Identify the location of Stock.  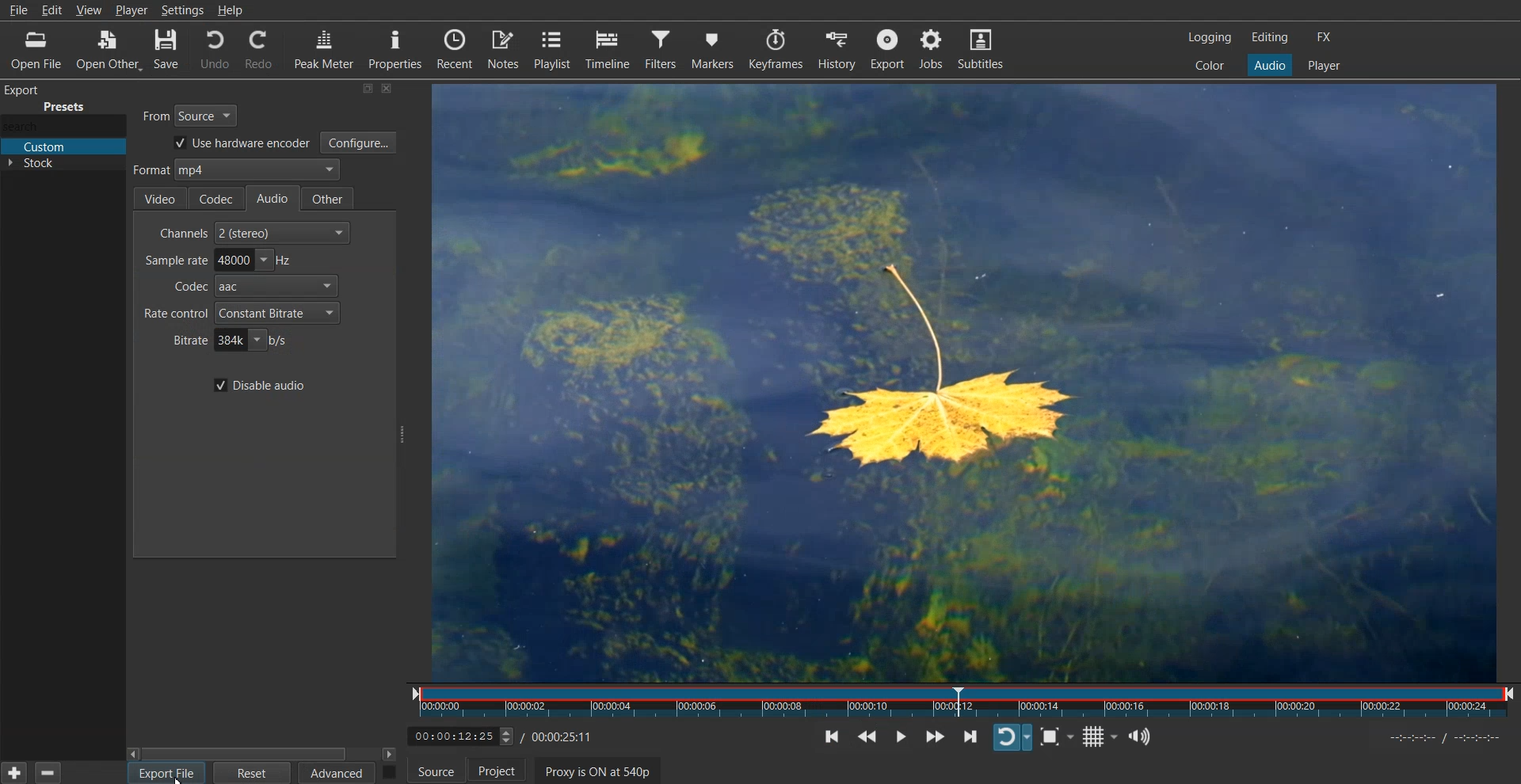
(63, 167).